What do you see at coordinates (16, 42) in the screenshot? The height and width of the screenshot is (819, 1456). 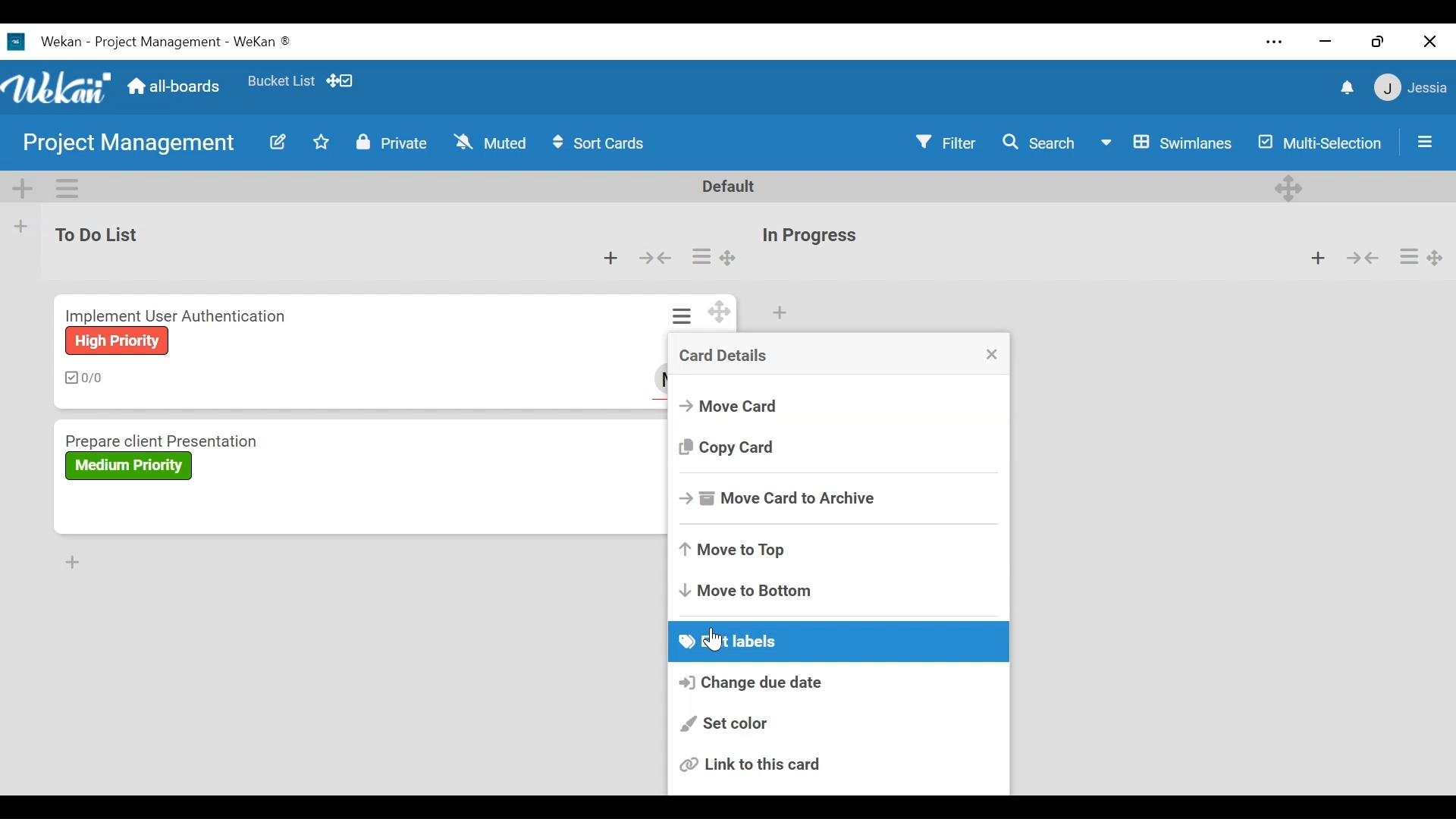 I see `Software logo` at bounding box center [16, 42].